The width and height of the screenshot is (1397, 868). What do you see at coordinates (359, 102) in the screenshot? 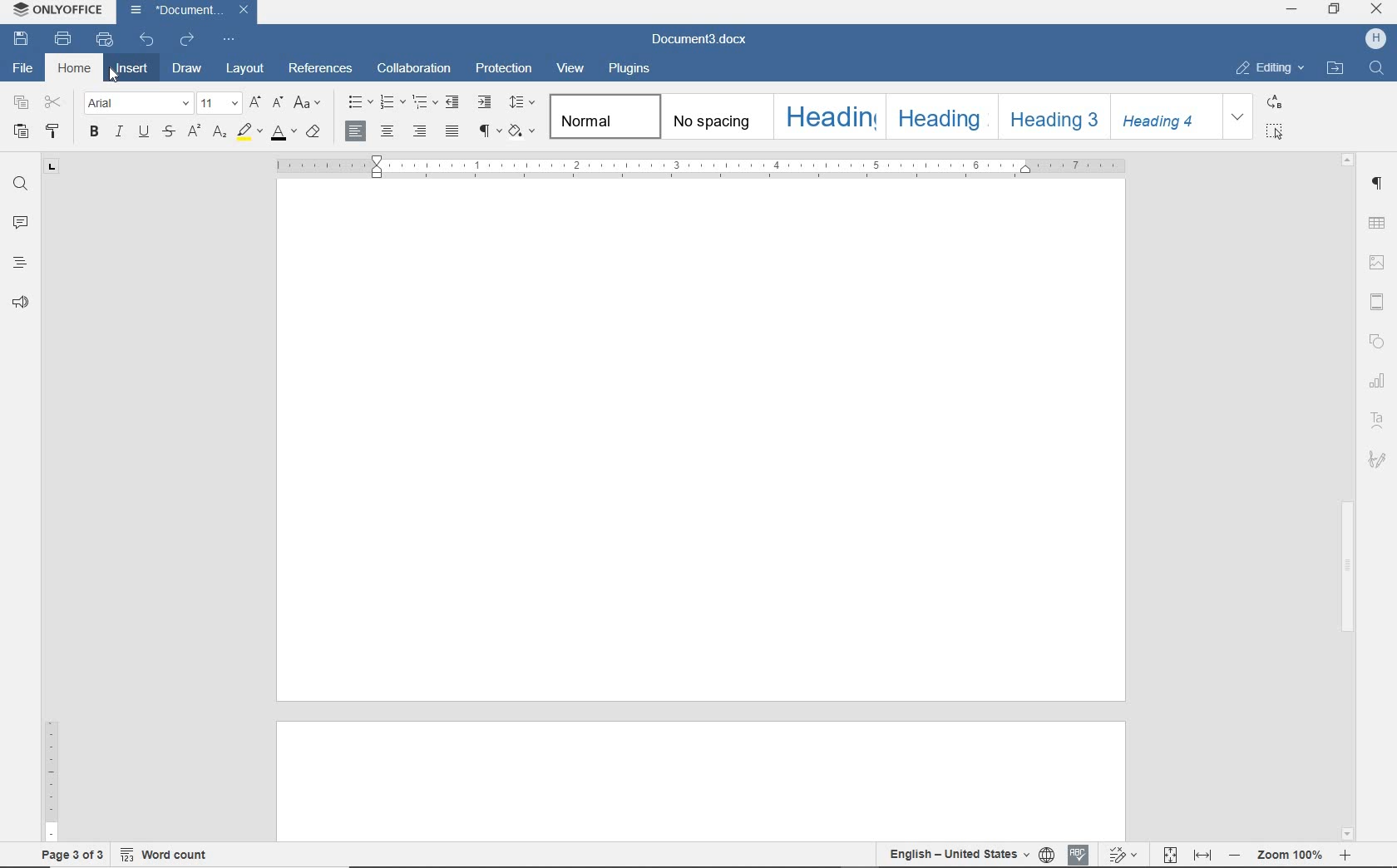
I see `BULLETS` at bounding box center [359, 102].